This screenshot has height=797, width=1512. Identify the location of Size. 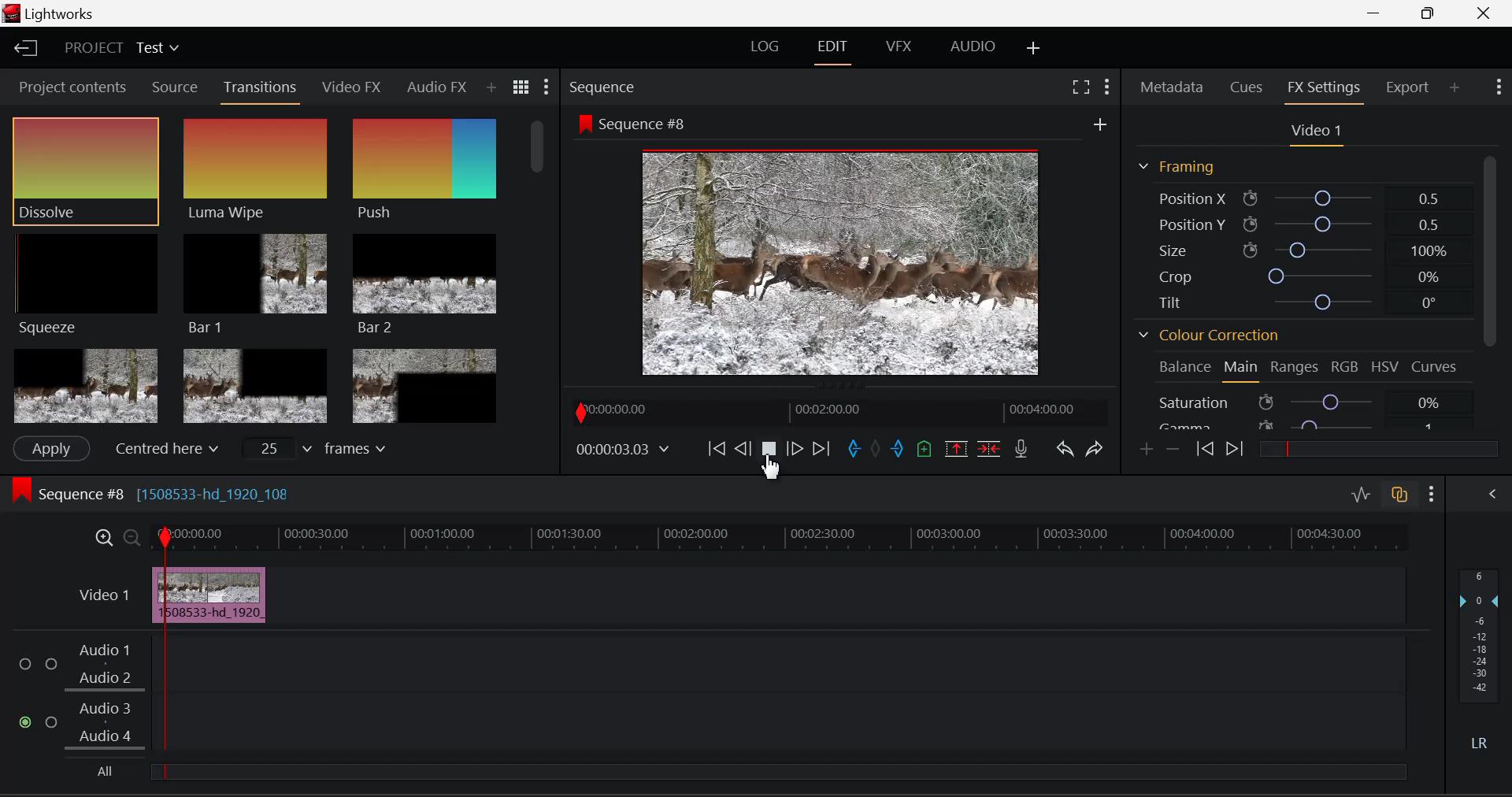
(1299, 250).